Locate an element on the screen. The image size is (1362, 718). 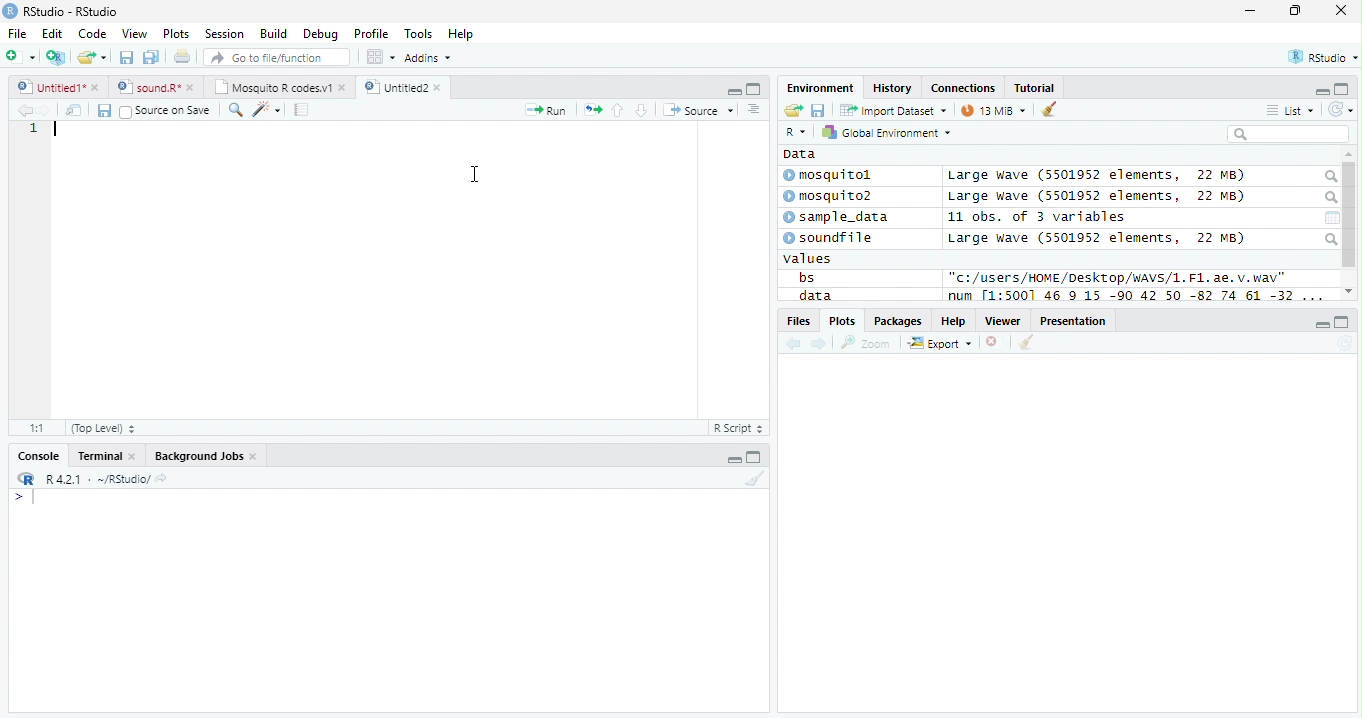
closse is located at coordinates (1342, 10).